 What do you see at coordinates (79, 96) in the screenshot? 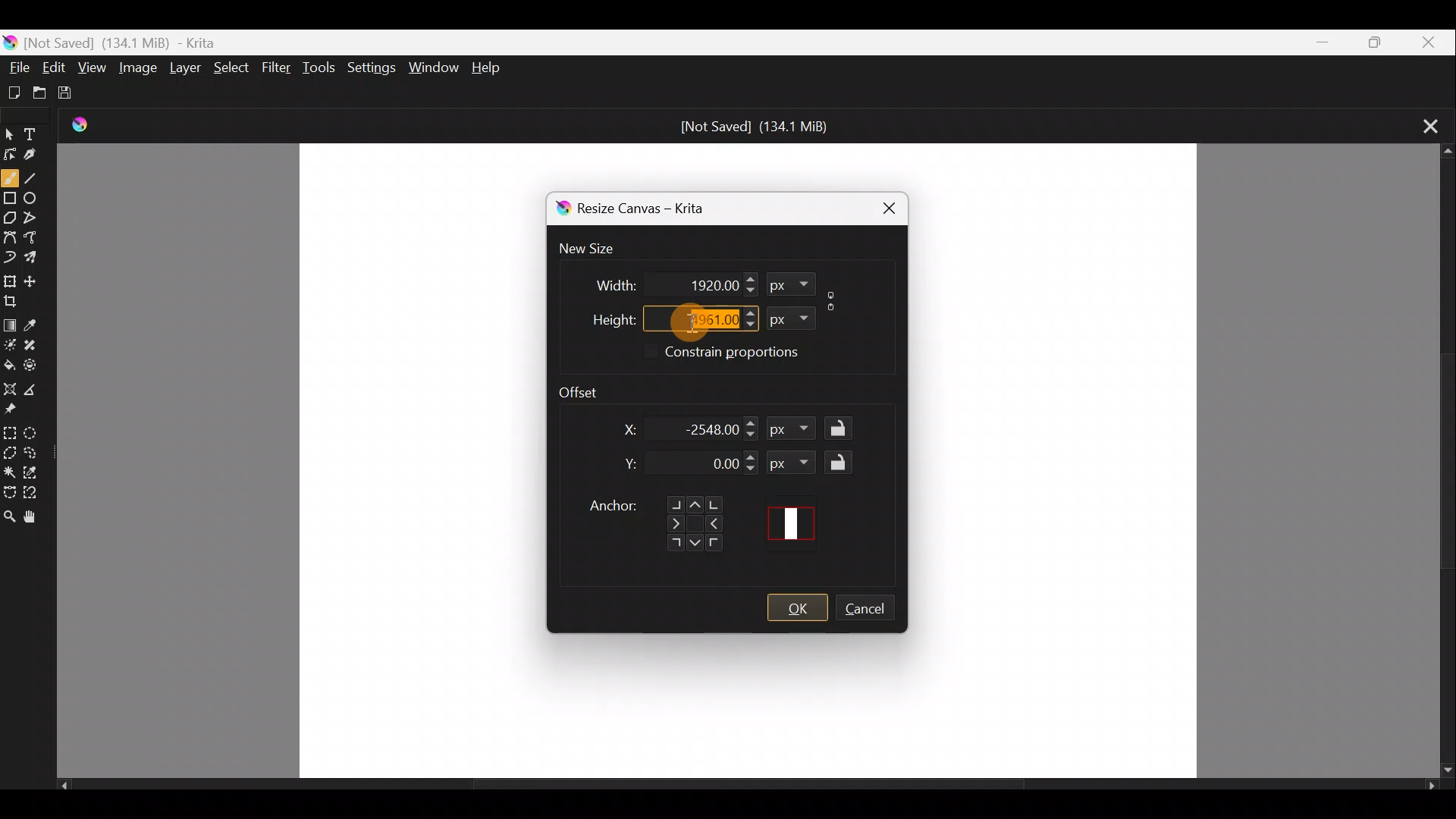
I see `Save` at bounding box center [79, 96].